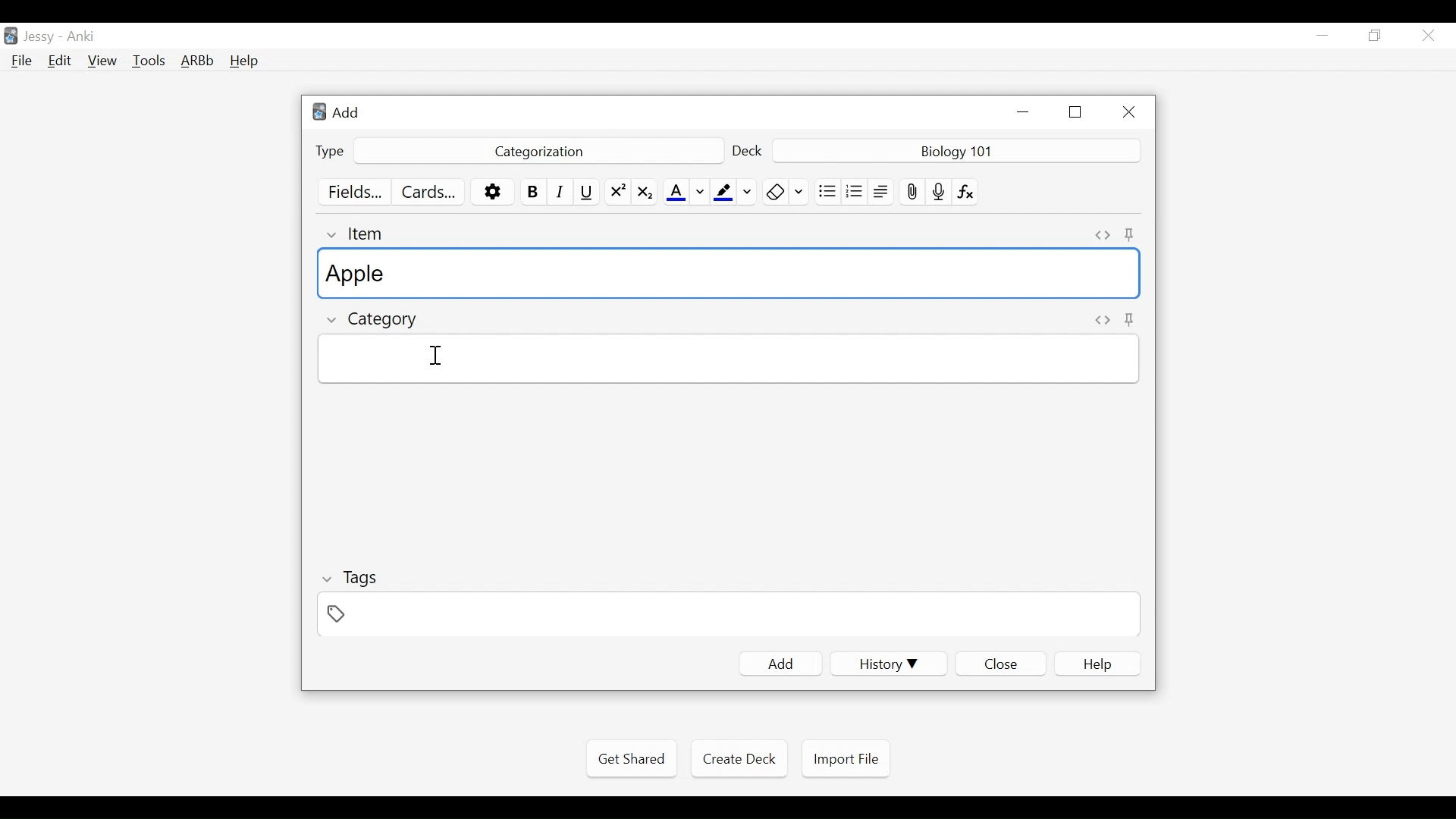 The height and width of the screenshot is (819, 1456). What do you see at coordinates (780, 664) in the screenshot?
I see `Add` at bounding box center [780, 664].